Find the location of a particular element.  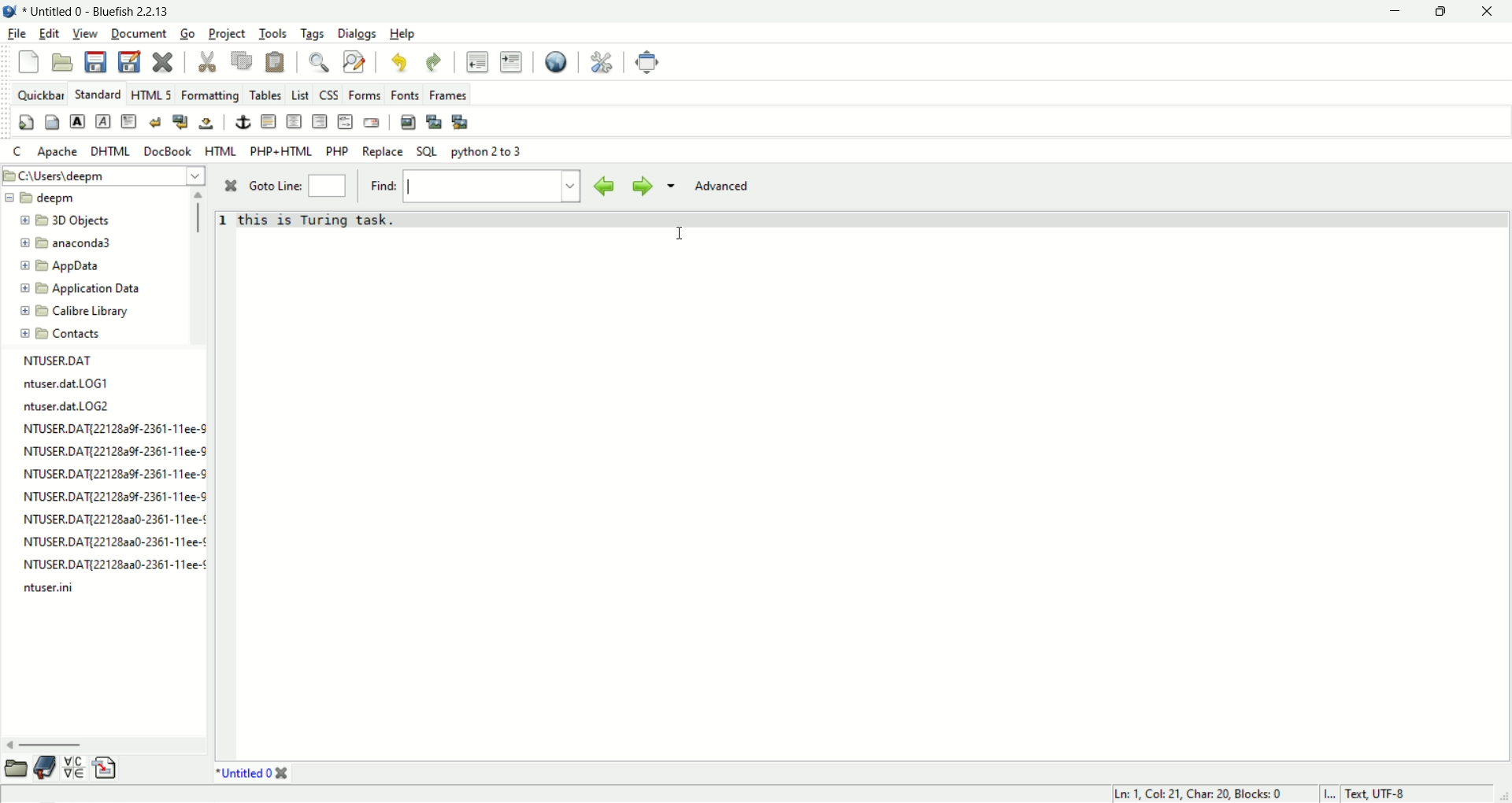

tags is located at coordinates (313, 34).